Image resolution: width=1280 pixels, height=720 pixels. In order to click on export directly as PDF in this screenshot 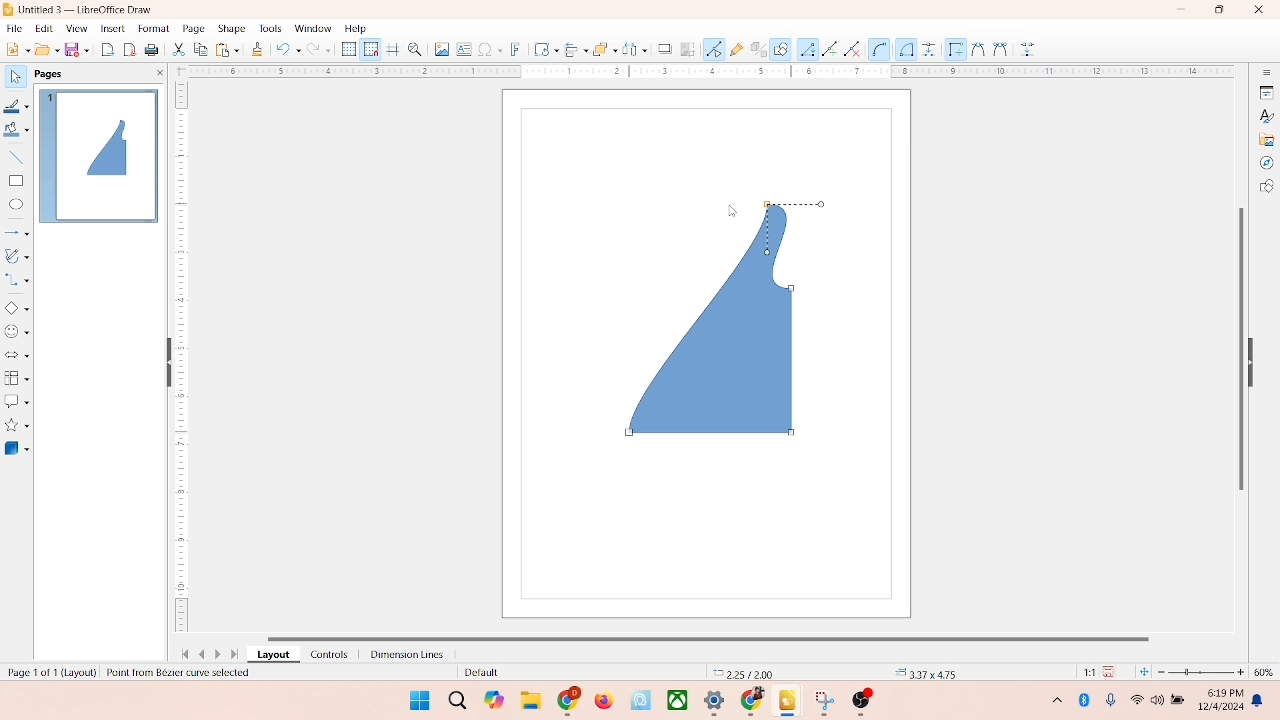, I will do `click(131, 49)`.